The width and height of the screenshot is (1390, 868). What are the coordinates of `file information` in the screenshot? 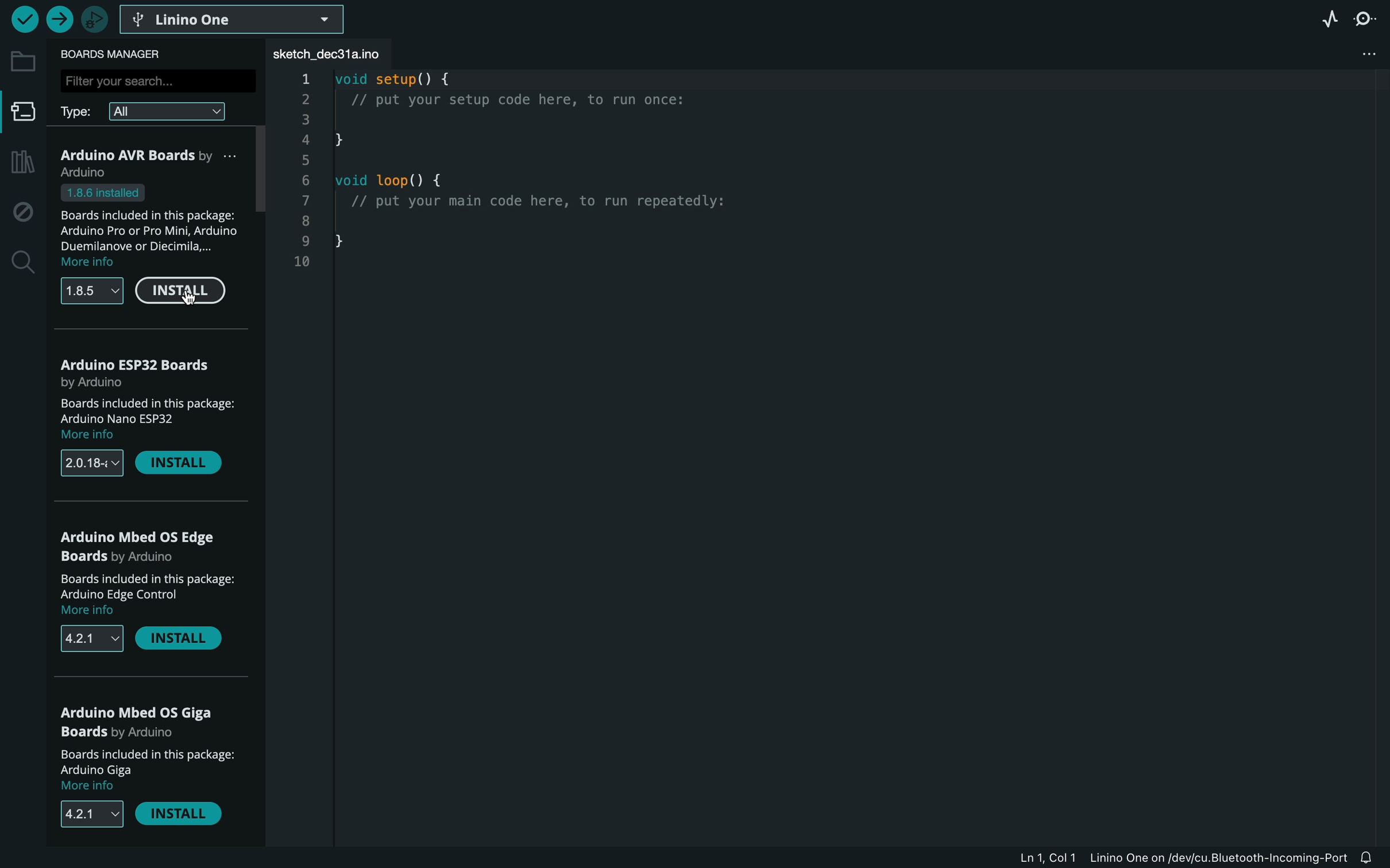 It's located at (1182, 857).